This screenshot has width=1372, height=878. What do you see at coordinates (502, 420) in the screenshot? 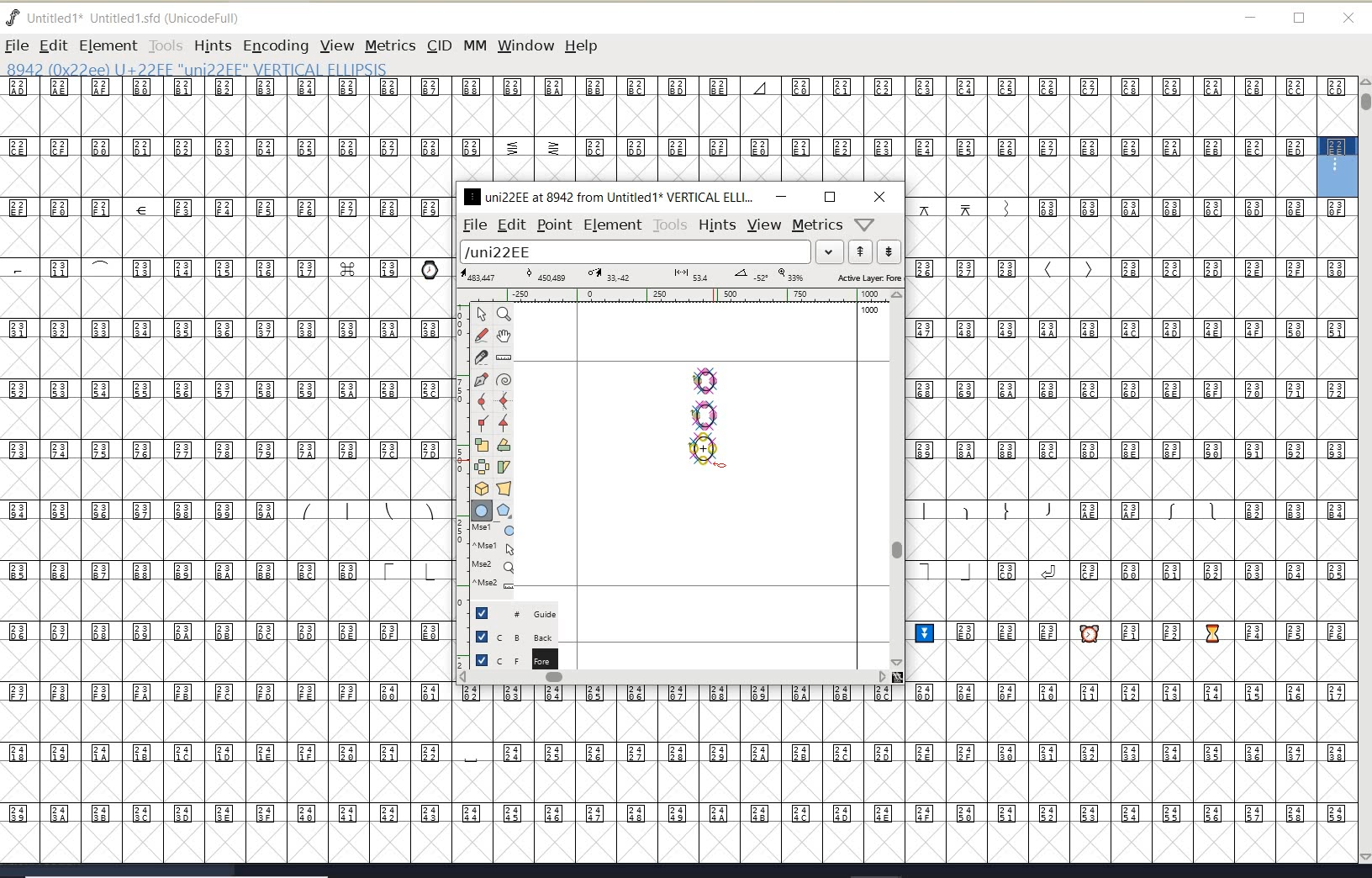
I see `add a tangent point` at bounding box center [502, 420].